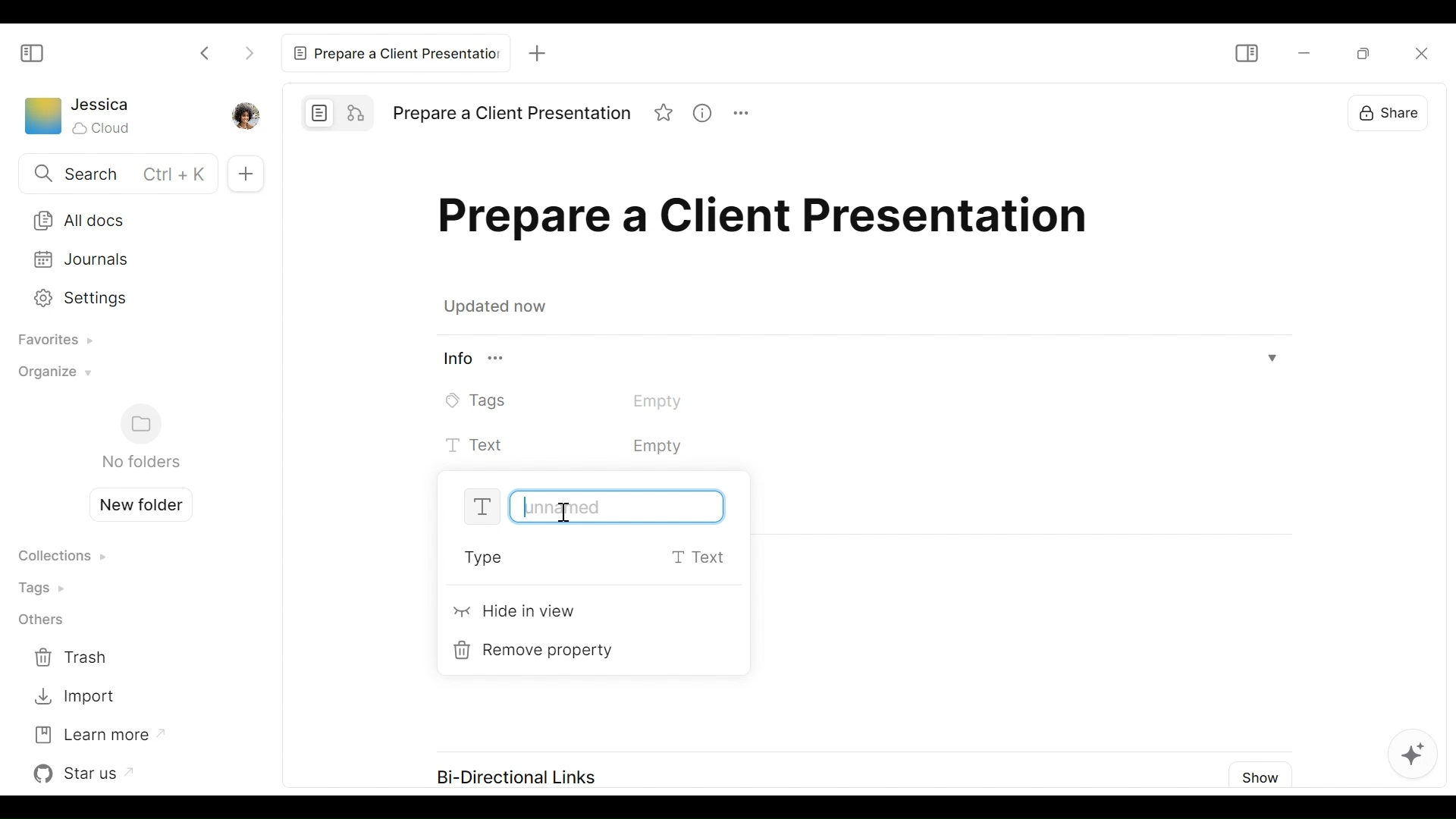 Image resolution: width=1456 pixels, height=819 pixels. Describe the element at coordinates (770, 221) in the screenshot. I see `Title` at that location.